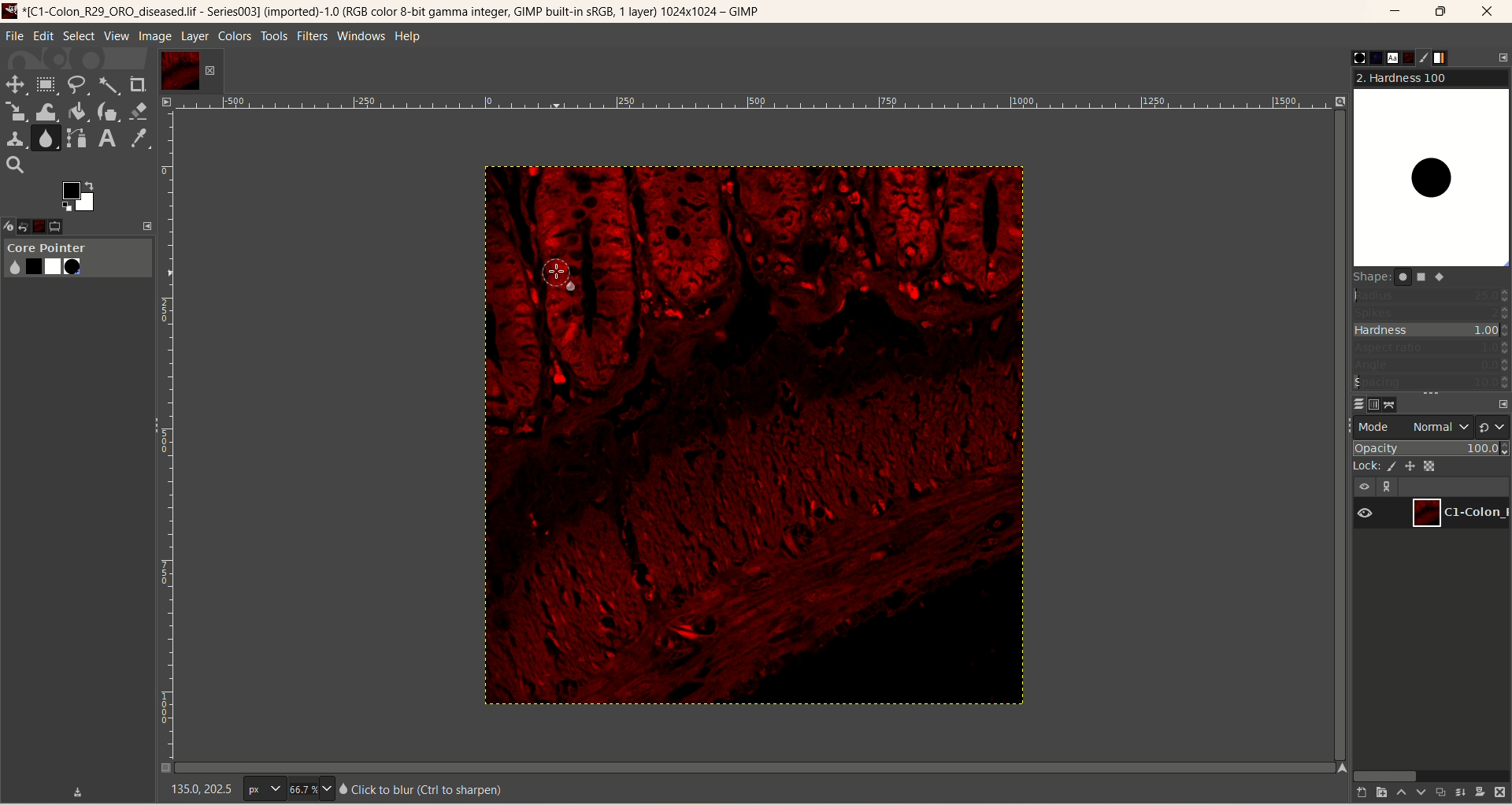 This screenshot has height=805, width=1512. What do you see at coordinates (1386, 57) in the screenshot?
I see `fonts` at bounding box center [1386, 57].